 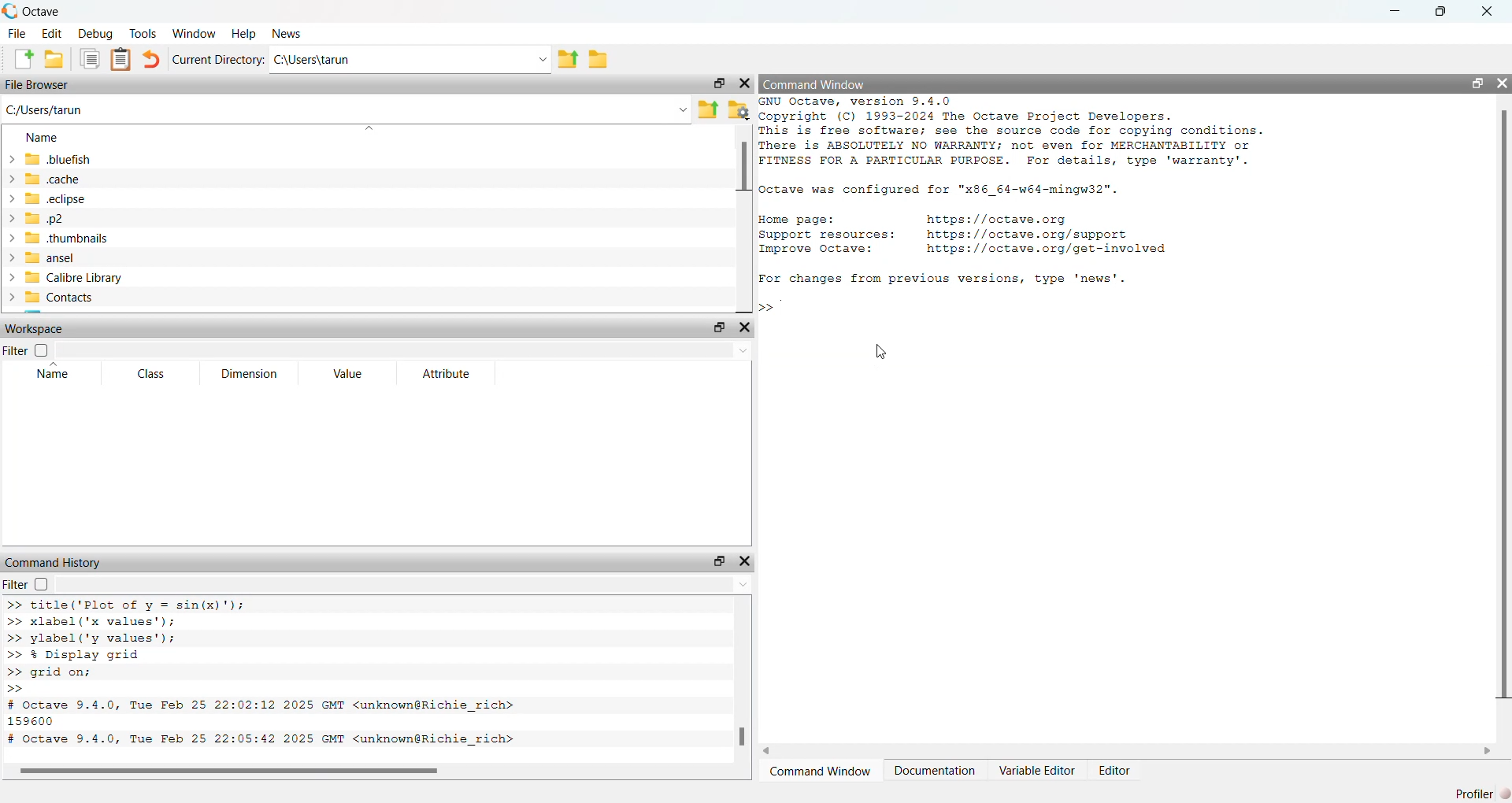 What do you see at coordinates (1440, 13) in the screenshot?
I see `resize` at bounding box center [1440, 13].